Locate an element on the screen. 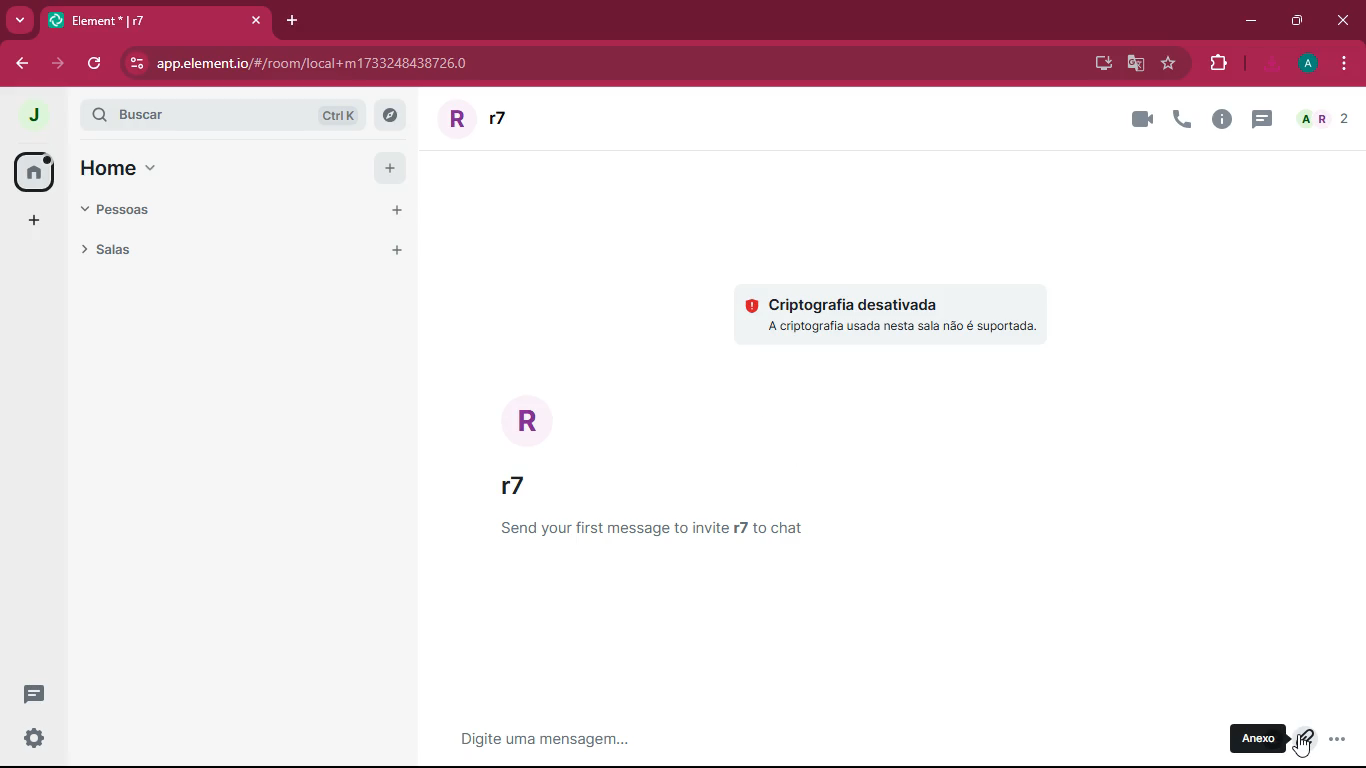  rooms is located at coordinates (215, 248).